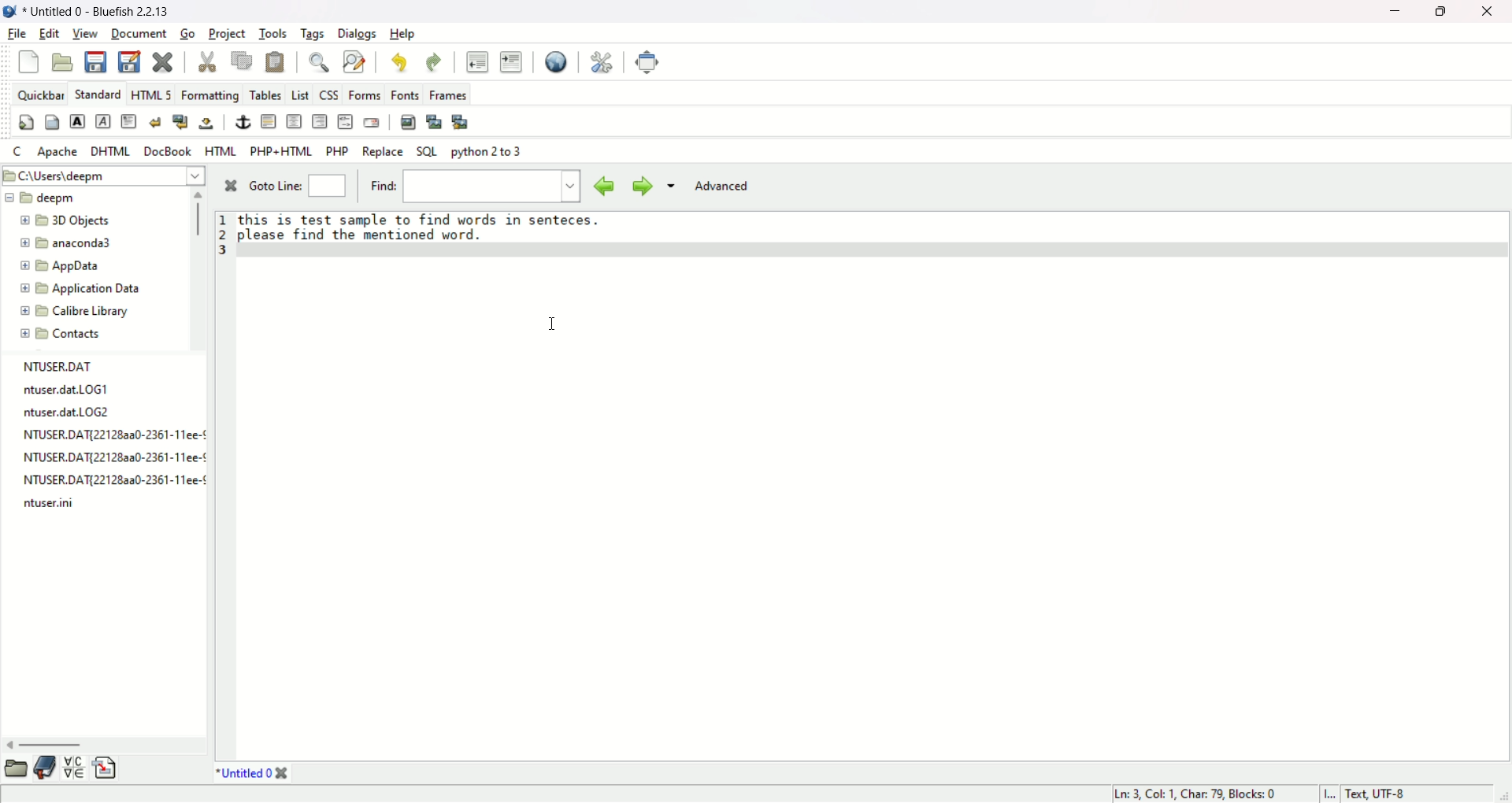 This screenshot has width=1512, height=803. Describe the element at coordinates (199, 194) in the screenshot. I see `move up` at that location.